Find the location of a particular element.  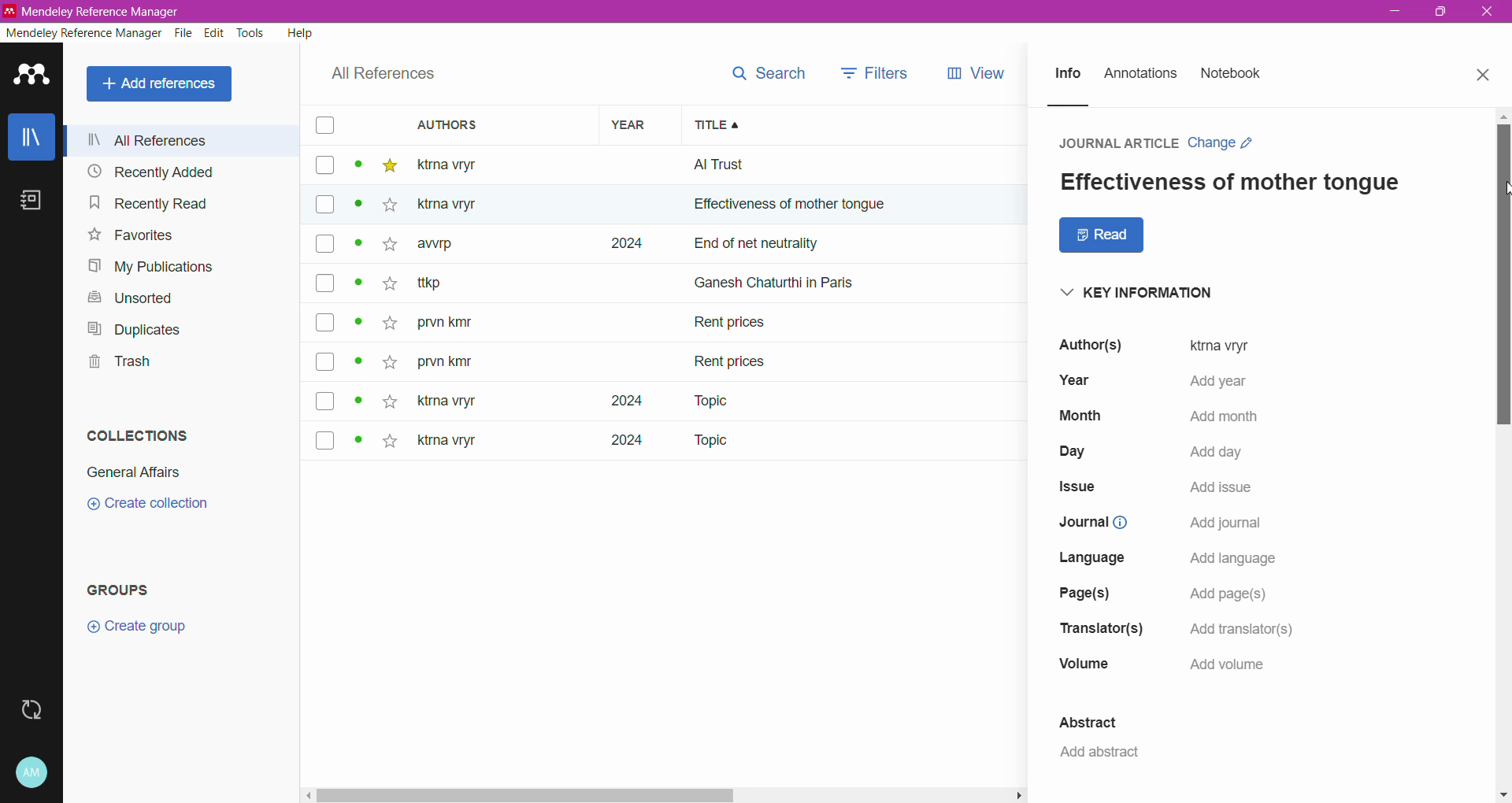

Journal is located at coordinates (1089, 522).